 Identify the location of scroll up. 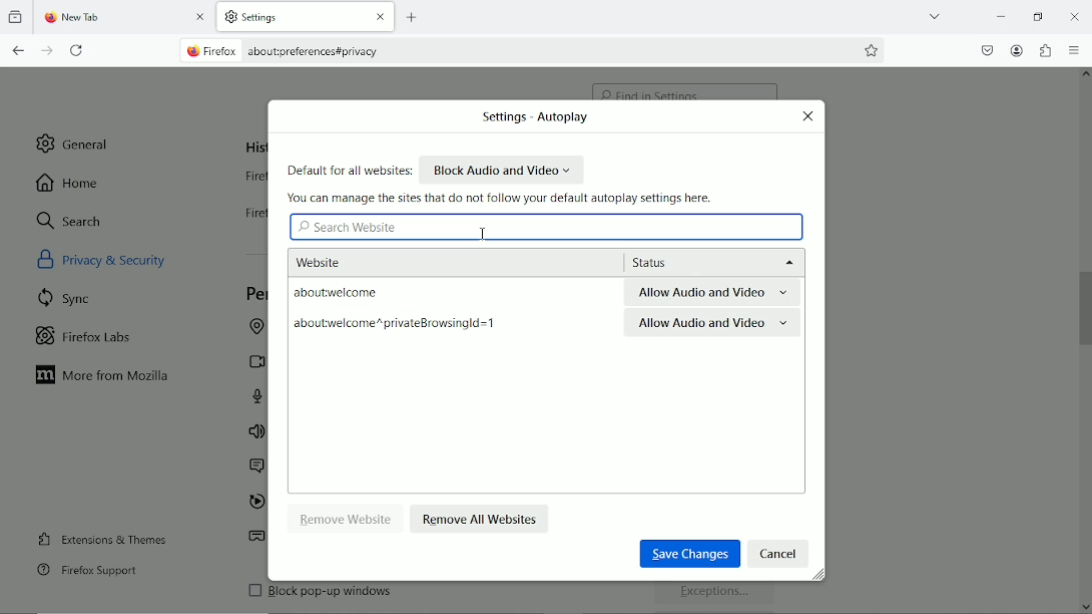
(1084, 77).